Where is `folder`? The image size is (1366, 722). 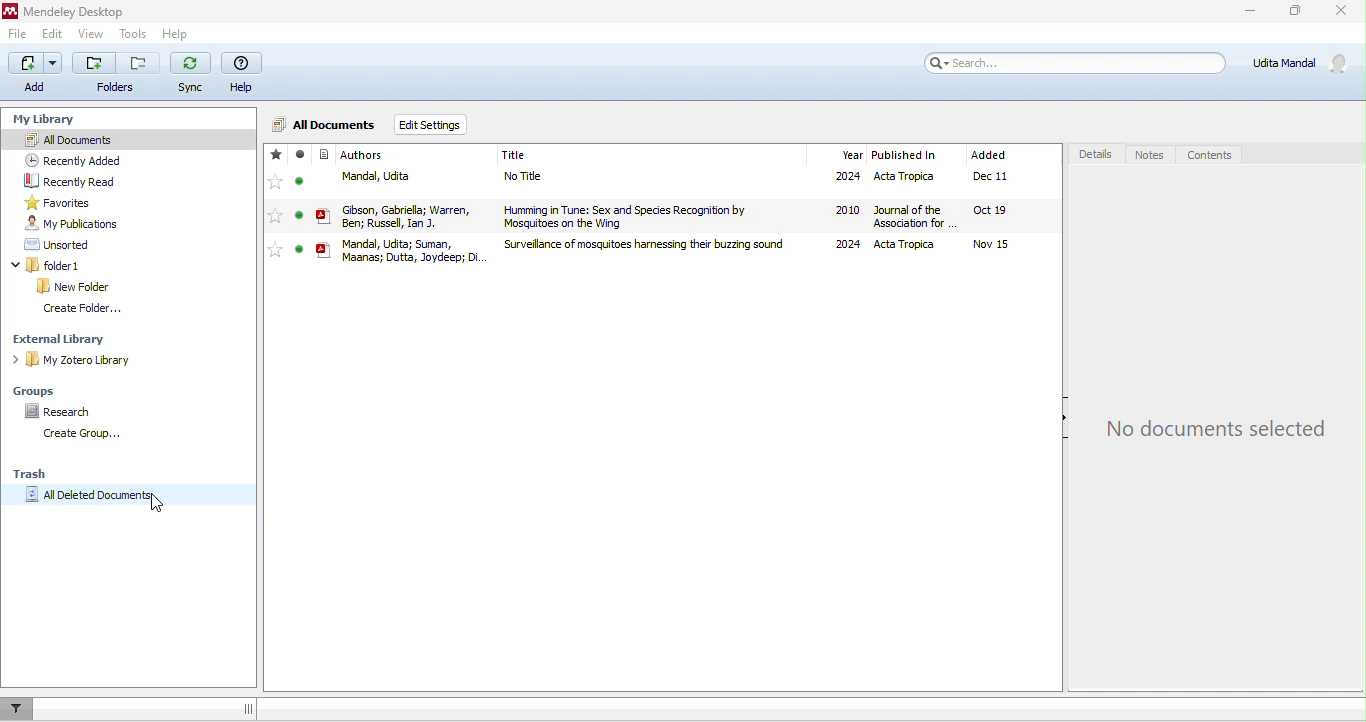
folder is located at coordinates (119, 73).